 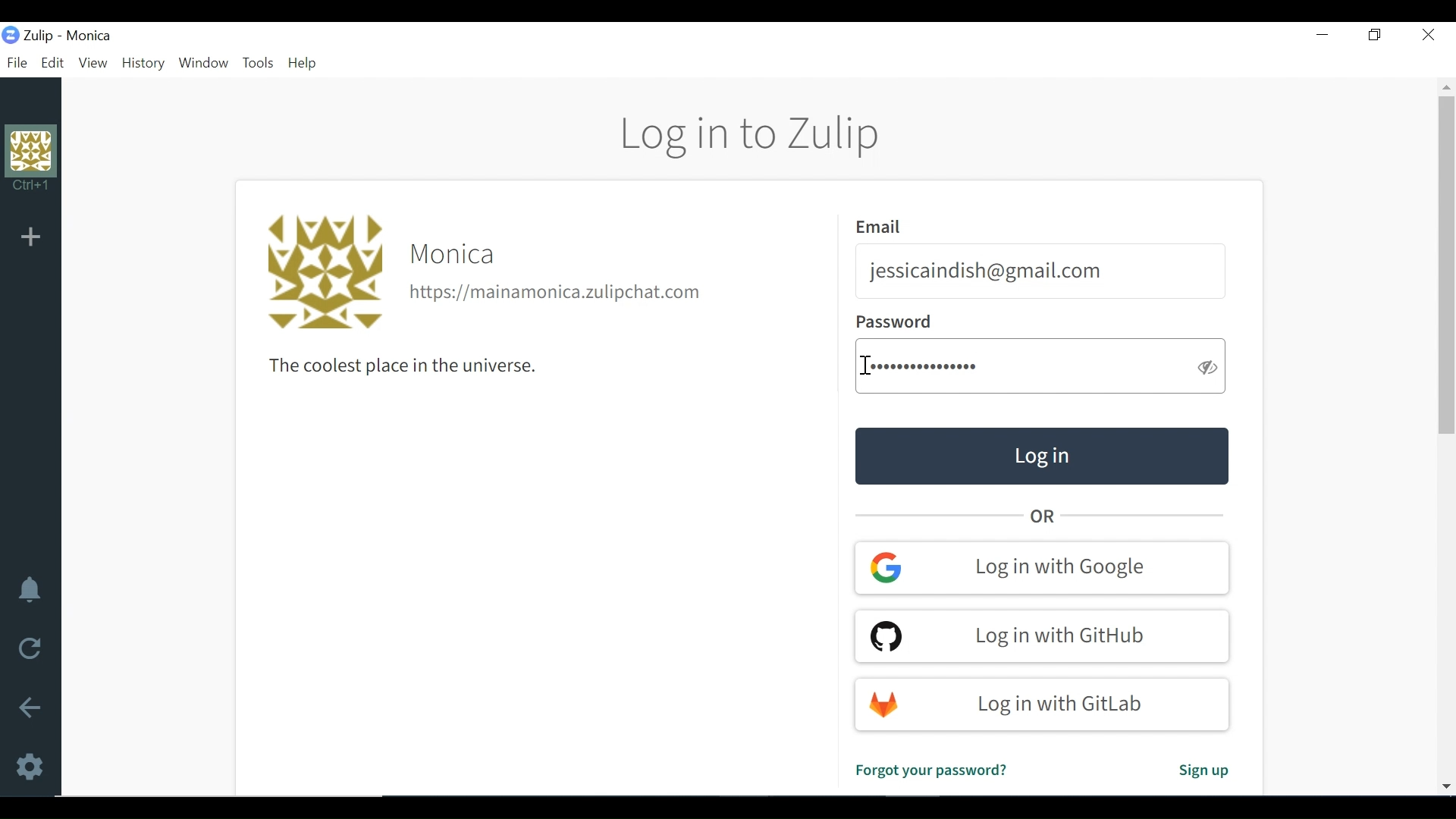 I want to click on Log in, so click(x=1040, y=456).